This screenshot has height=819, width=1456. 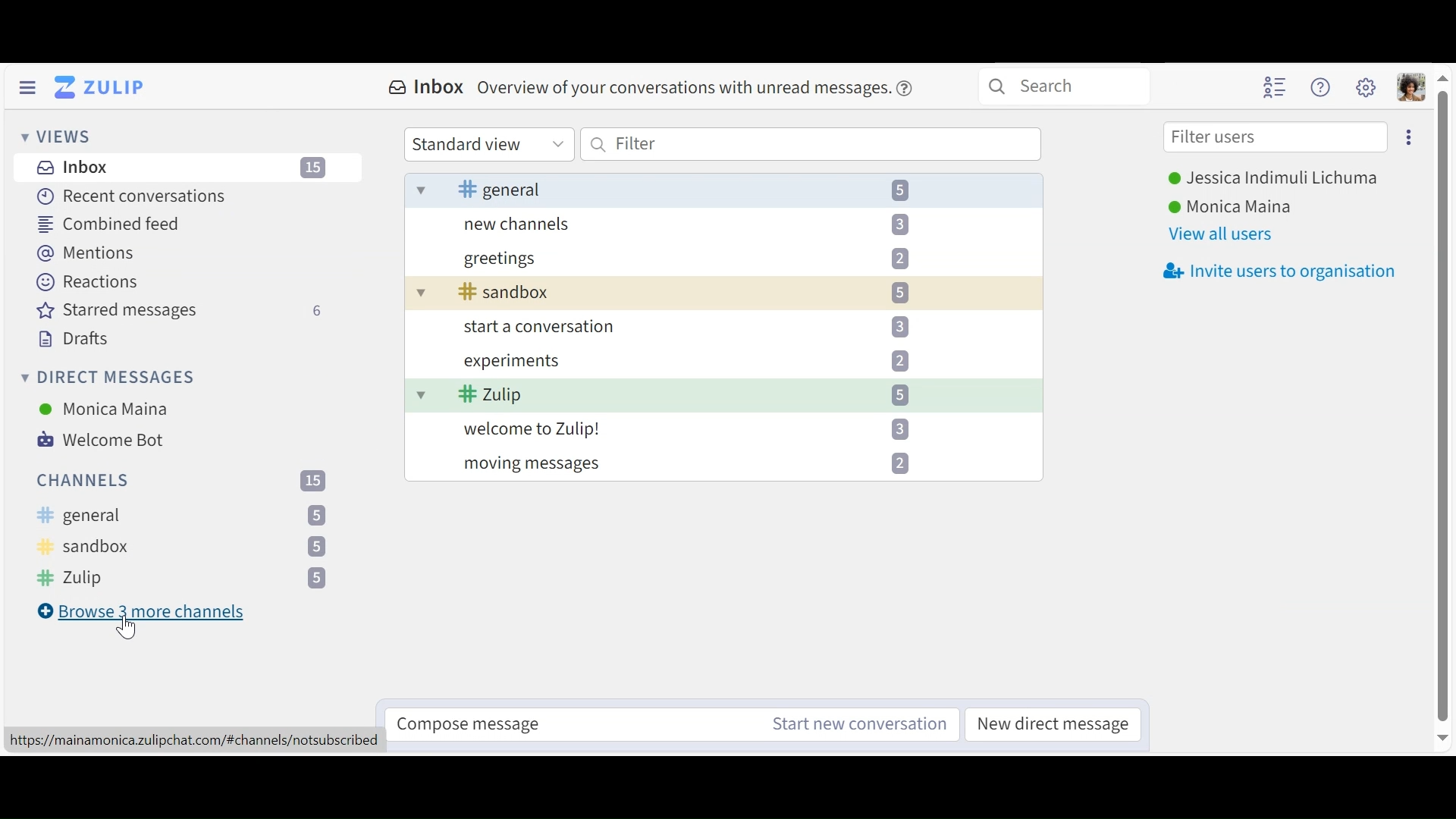 What do you see at coordinates (1276, 86) in the screenshot?
I see `Hide list of users` at bounding box center [1276, 86].